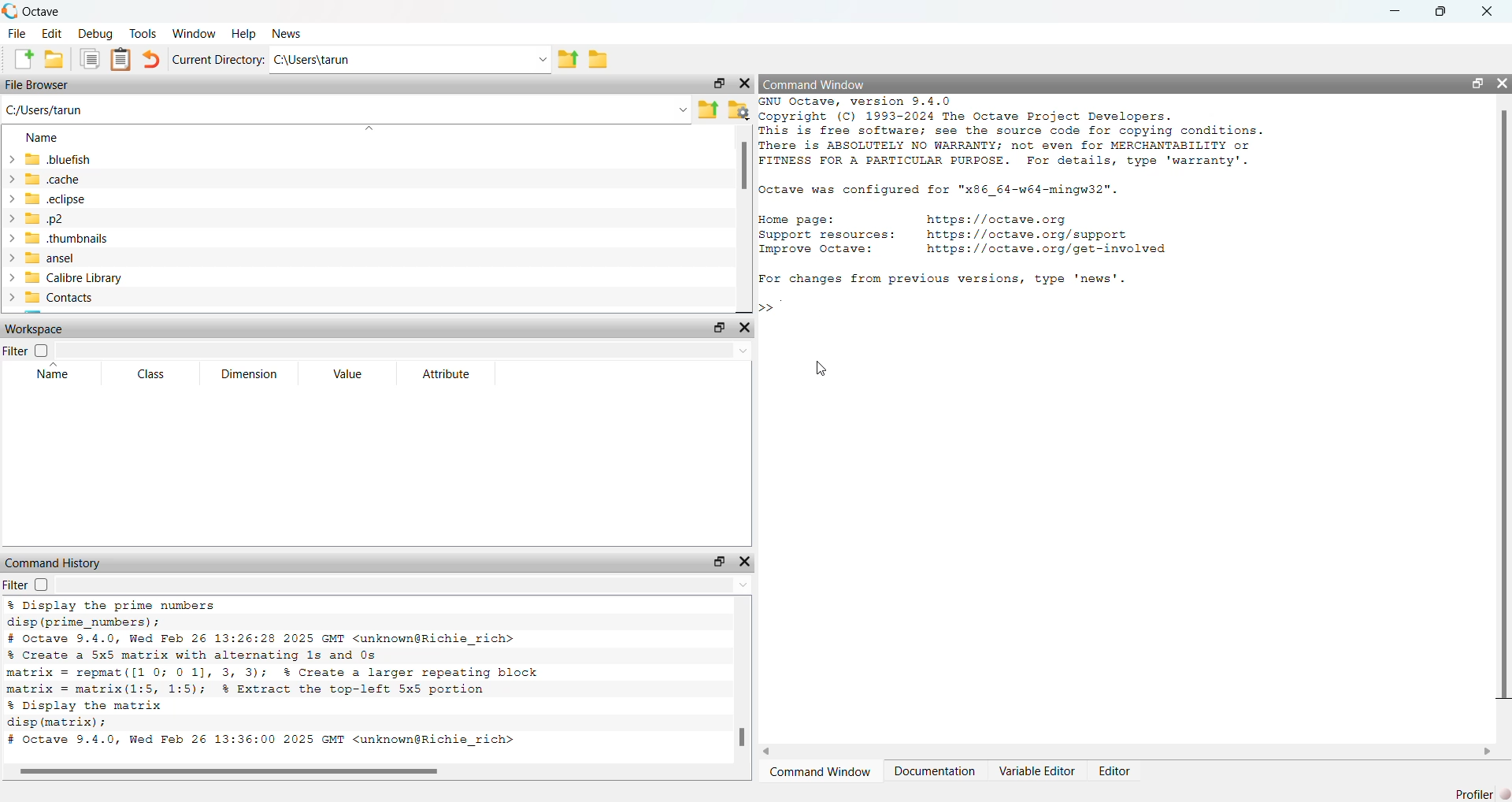 The image size is (1512, 802). I want to click on unlock widget, so click(716, 84).